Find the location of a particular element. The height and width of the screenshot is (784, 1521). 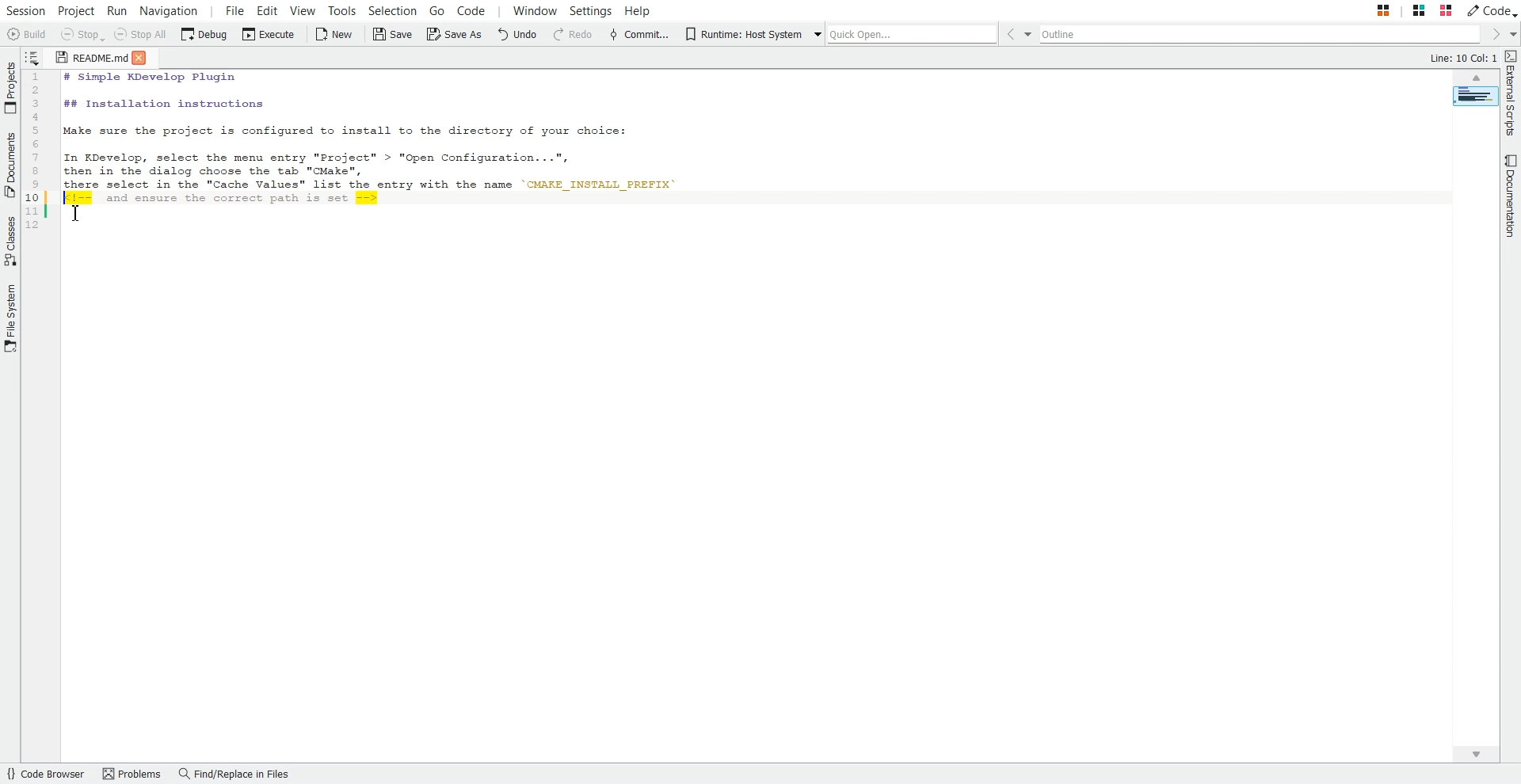

Documentation is located at coordinates (1511, 196).